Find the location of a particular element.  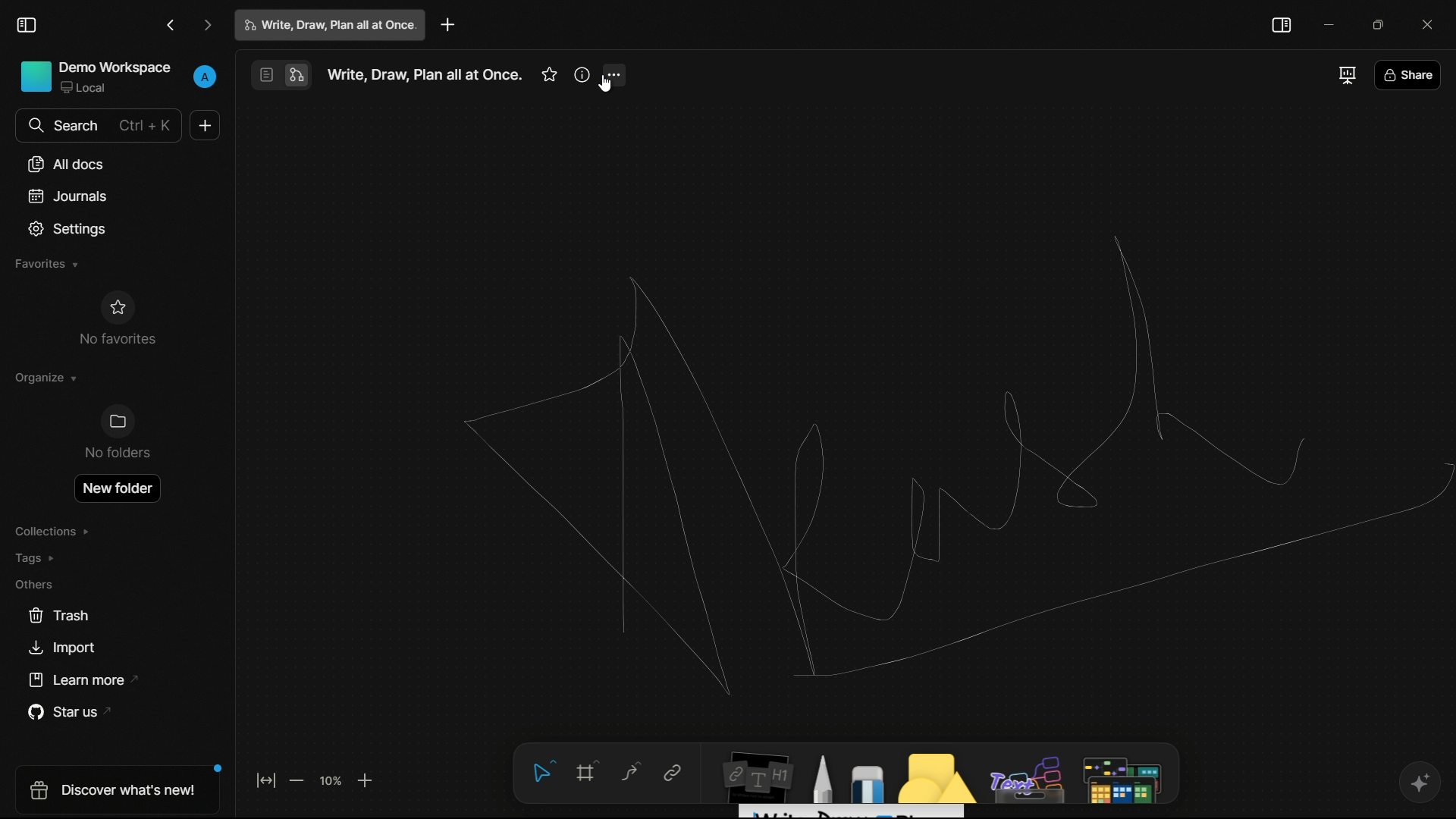

learn more is located at coordinates (75, 681).